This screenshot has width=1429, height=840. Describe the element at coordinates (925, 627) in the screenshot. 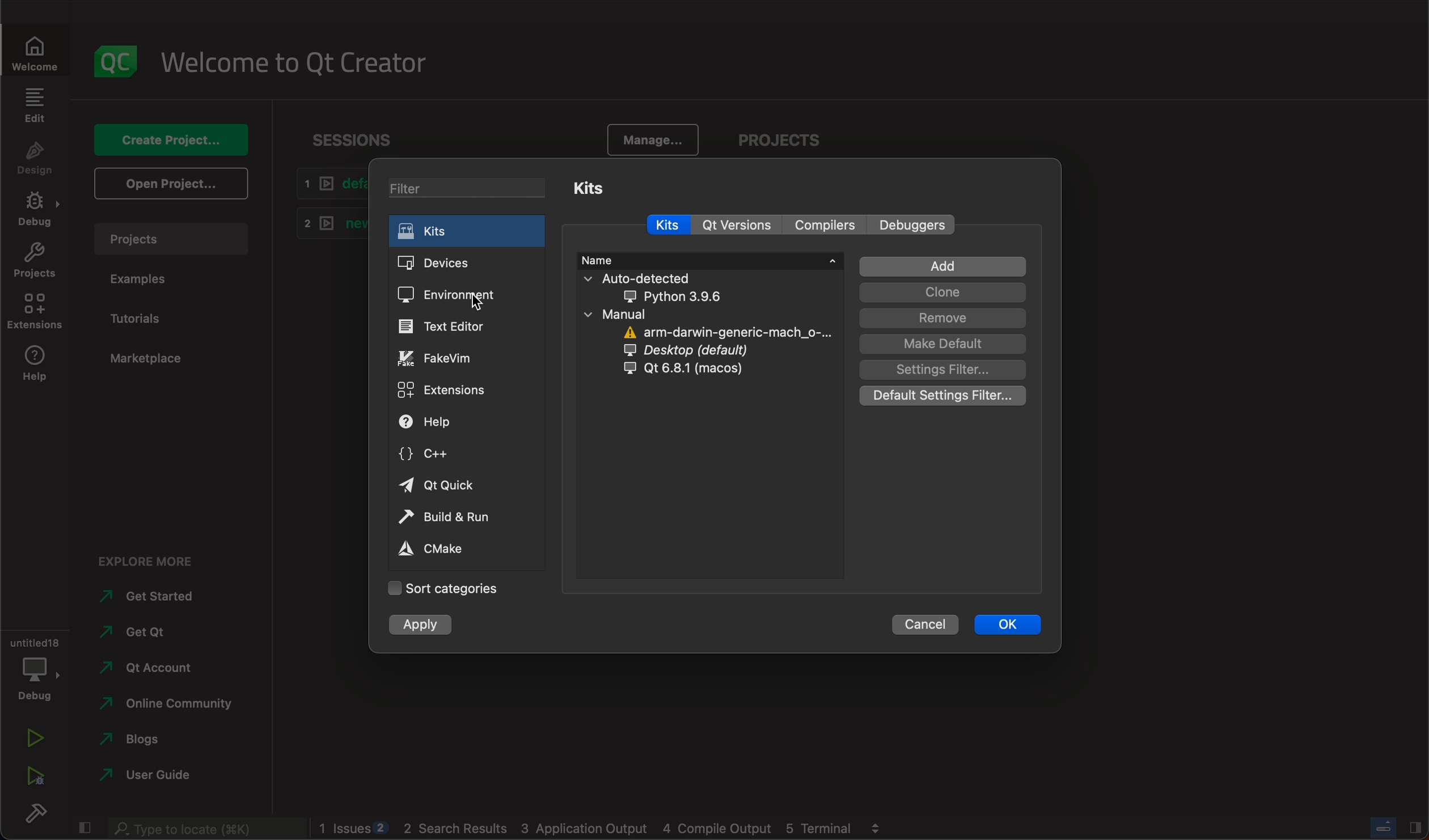

I see `cancel` at that location.